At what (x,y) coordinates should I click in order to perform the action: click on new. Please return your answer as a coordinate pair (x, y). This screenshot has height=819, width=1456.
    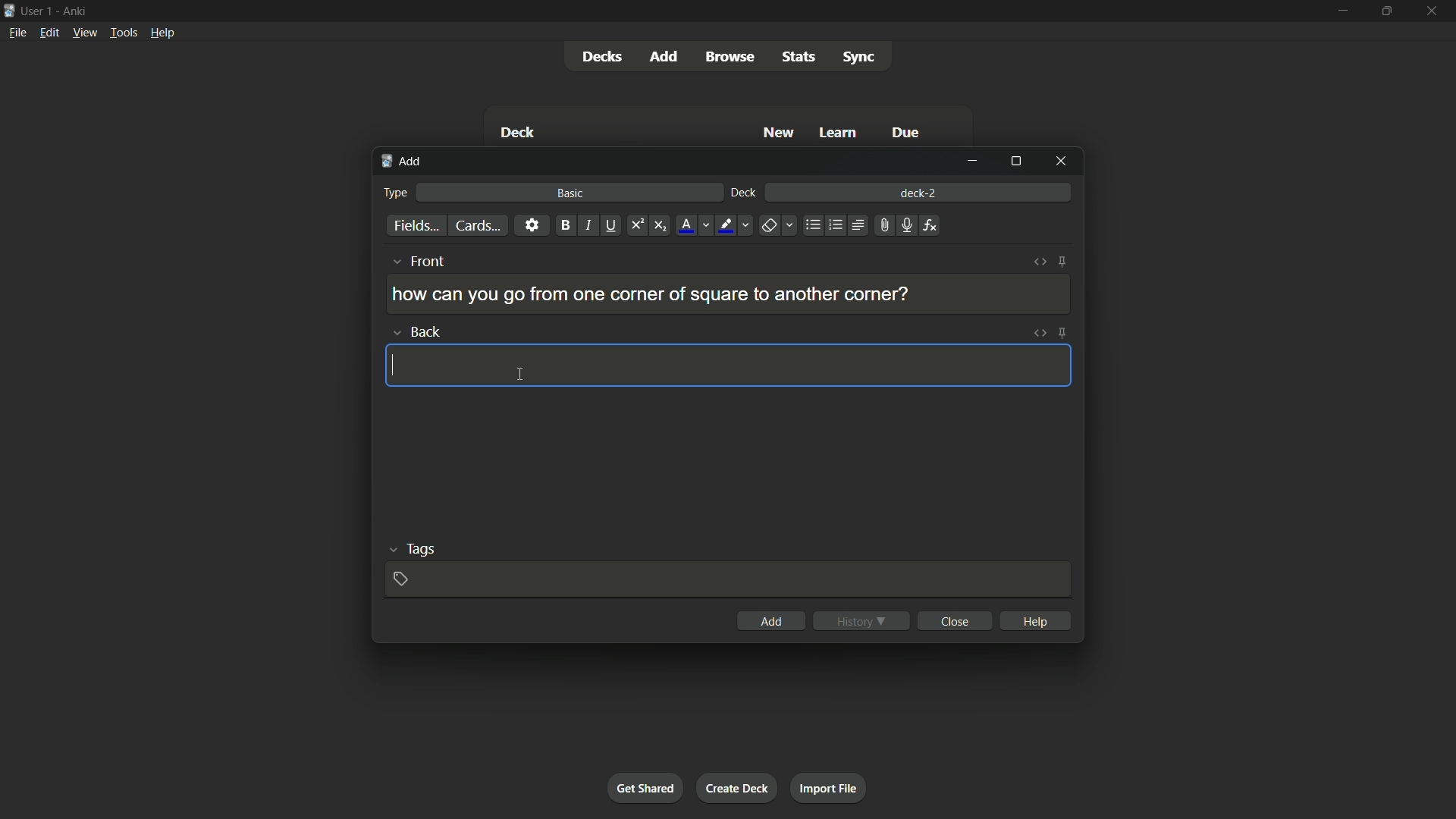
    Looking at the image, I should click on (779, 133).